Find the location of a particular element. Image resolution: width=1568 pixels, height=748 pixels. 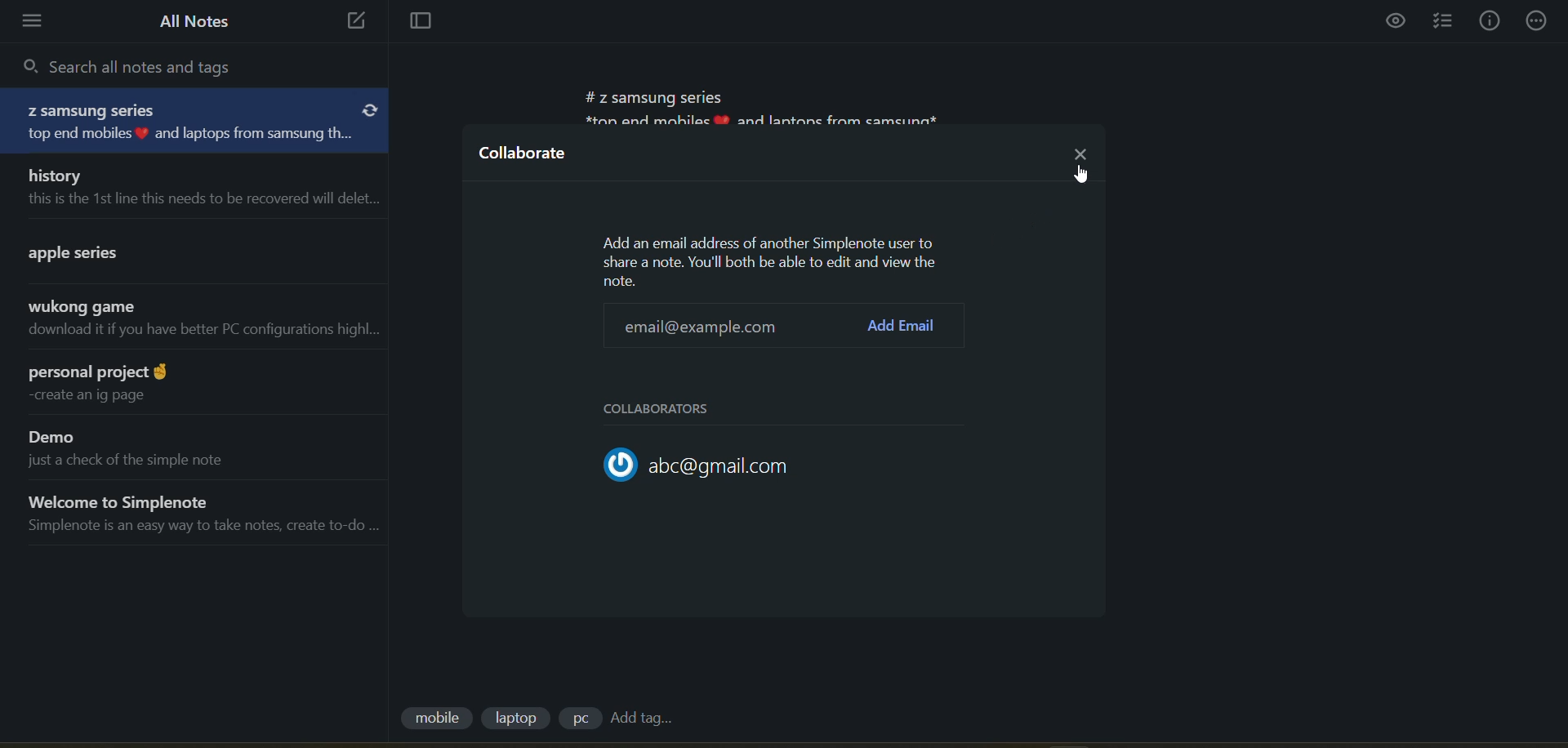

tag 3 is located at coordinates (579, 718).